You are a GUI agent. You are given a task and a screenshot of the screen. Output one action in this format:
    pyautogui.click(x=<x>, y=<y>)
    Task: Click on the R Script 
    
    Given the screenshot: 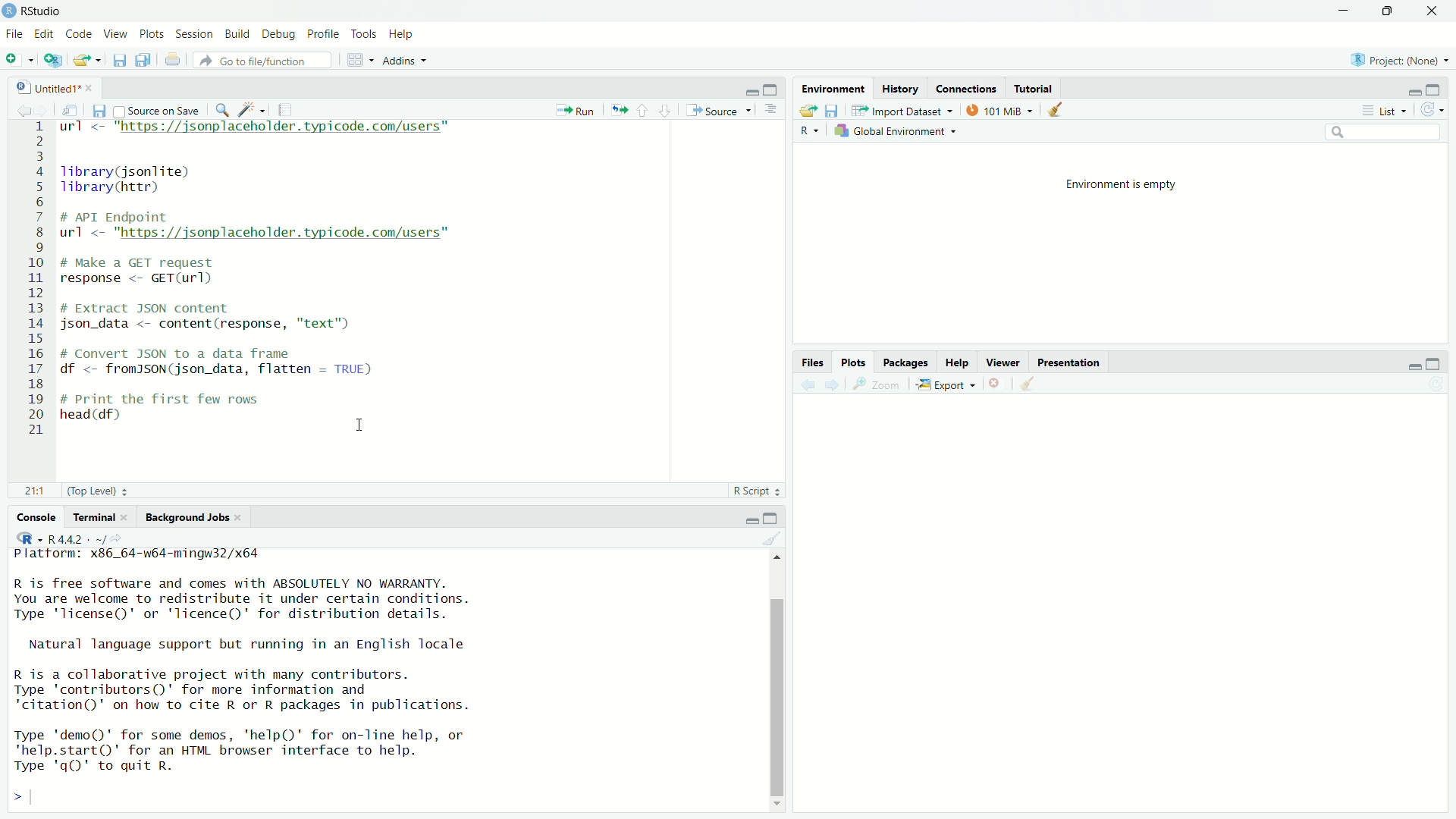 What is the action you would take?
    pyautogui.click(x=757, y=491)
    